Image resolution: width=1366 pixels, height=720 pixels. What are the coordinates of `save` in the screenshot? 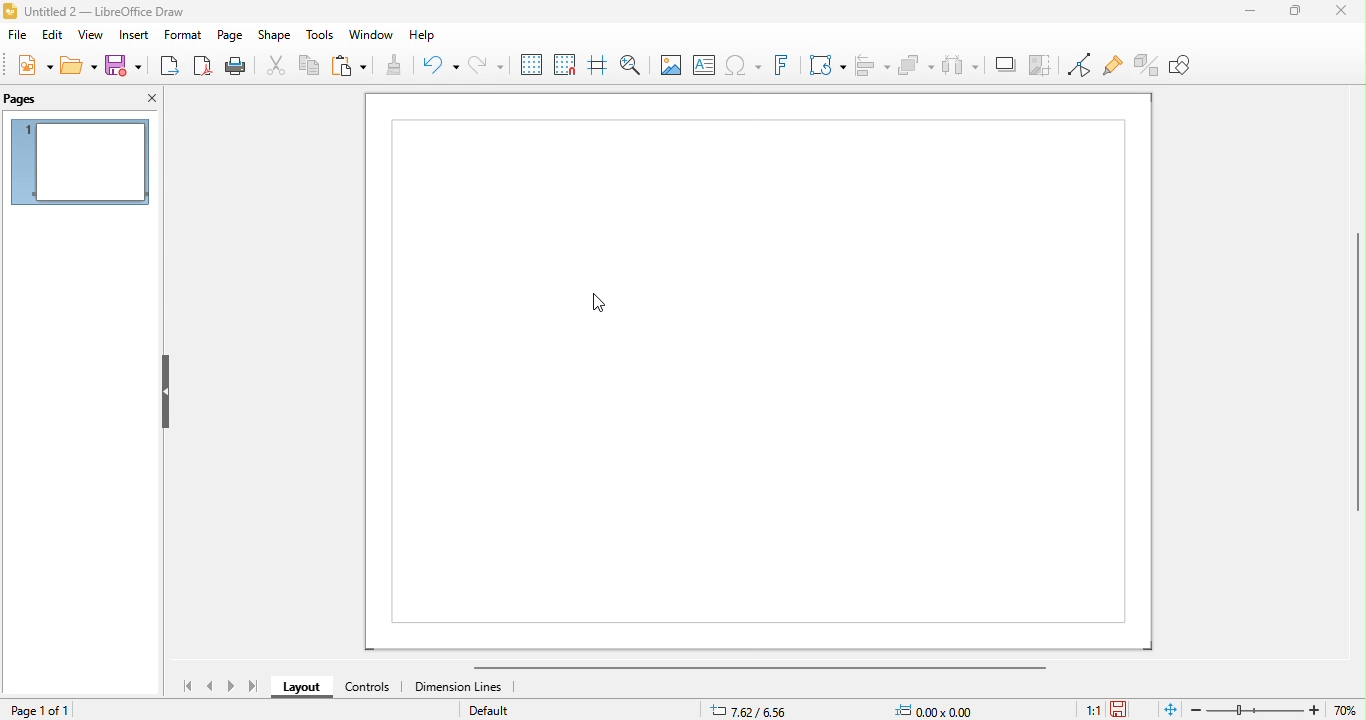 It's located at (1131, 705).